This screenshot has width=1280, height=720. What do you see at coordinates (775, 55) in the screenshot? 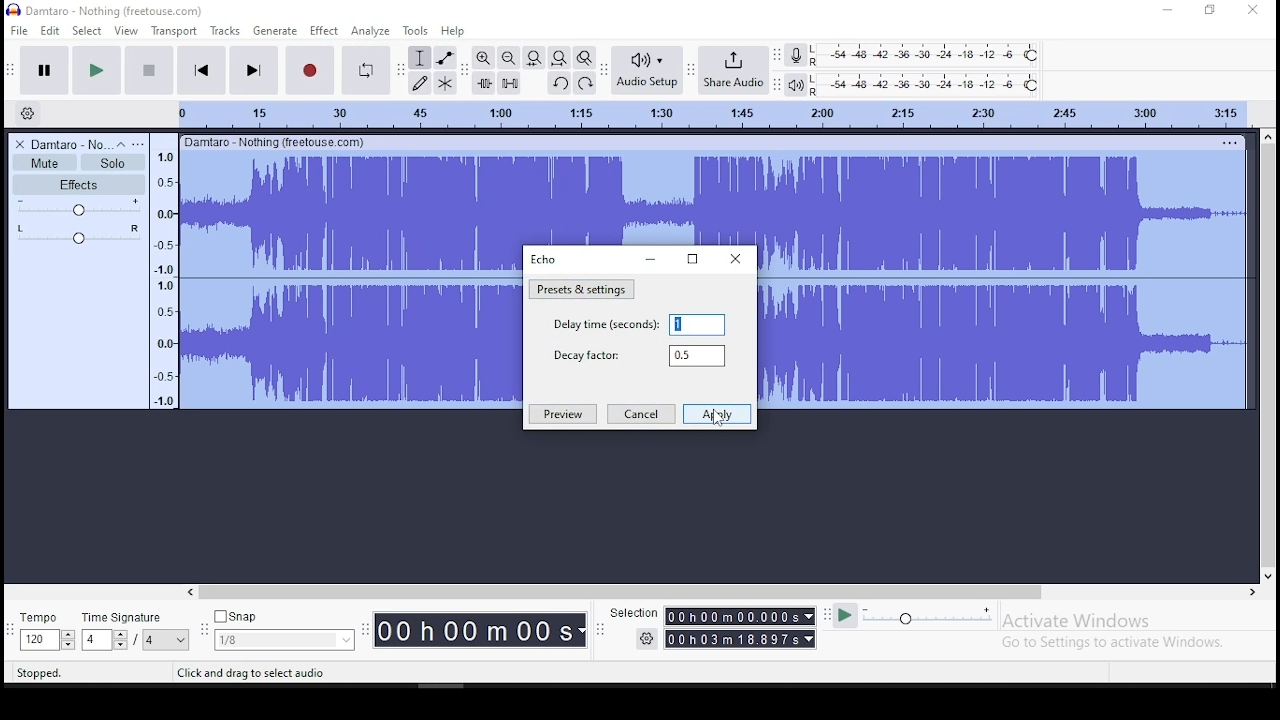
I see `` at bounding box center [775, 55].